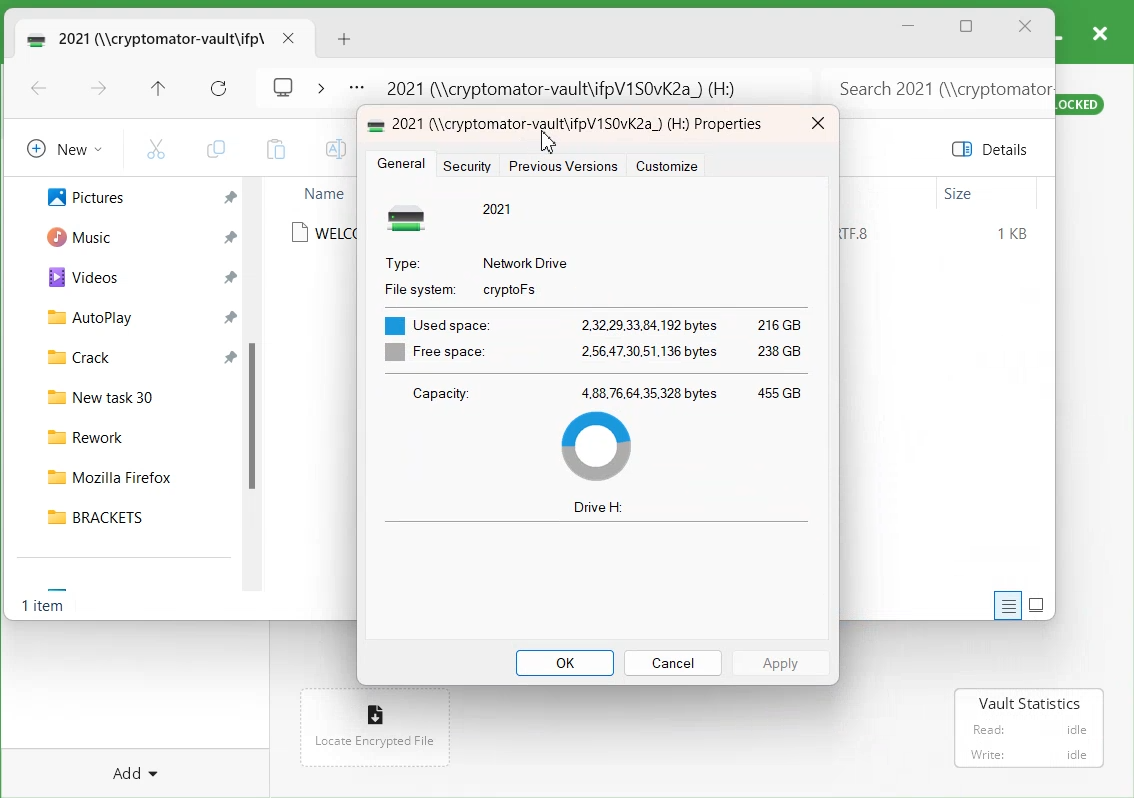 The height and width of the screenshot is (798, 1134). I want to click on 238GB, so click(782, 353).